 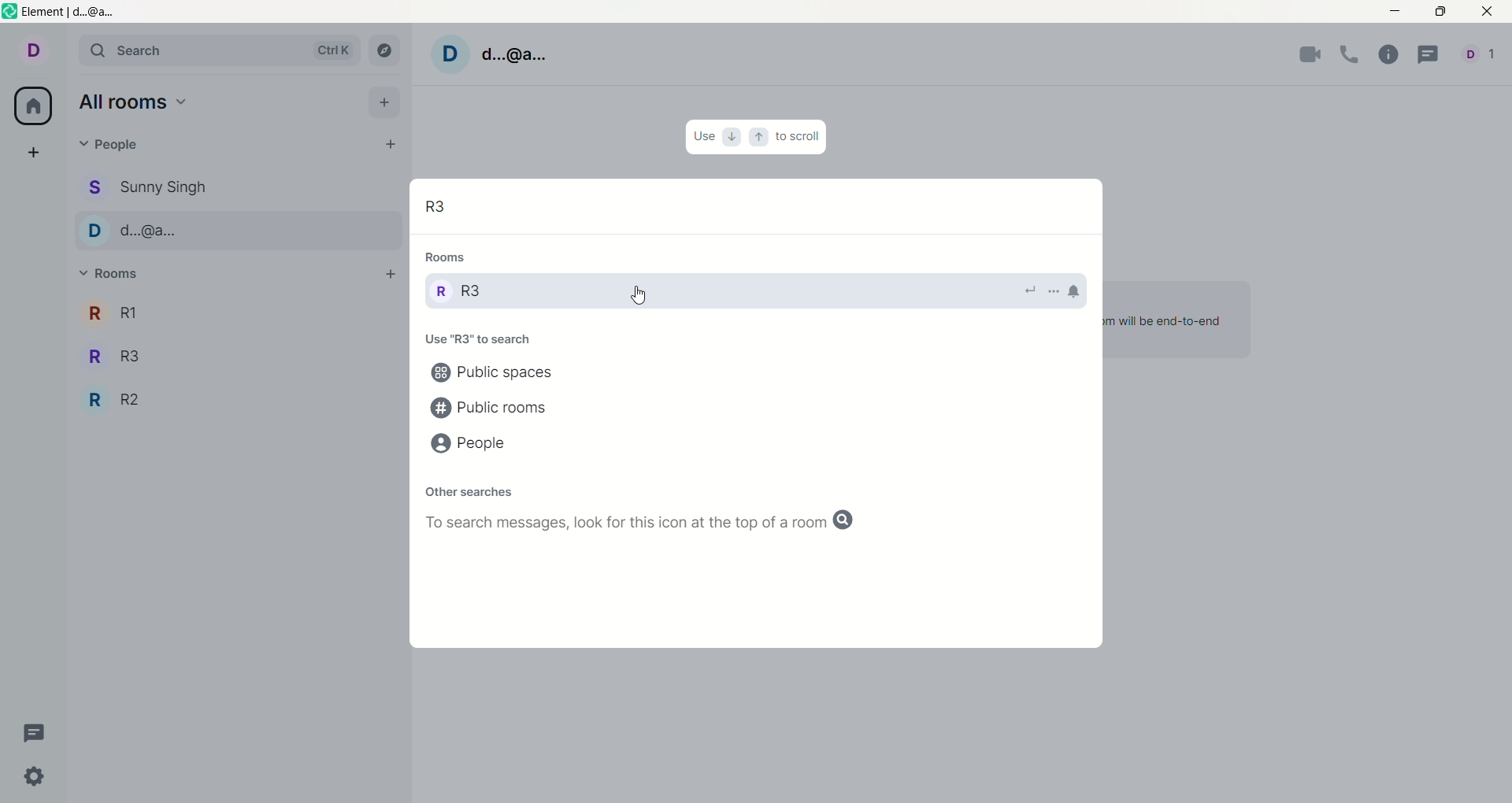 I want to click on threads, so click(x=1429, y=54).